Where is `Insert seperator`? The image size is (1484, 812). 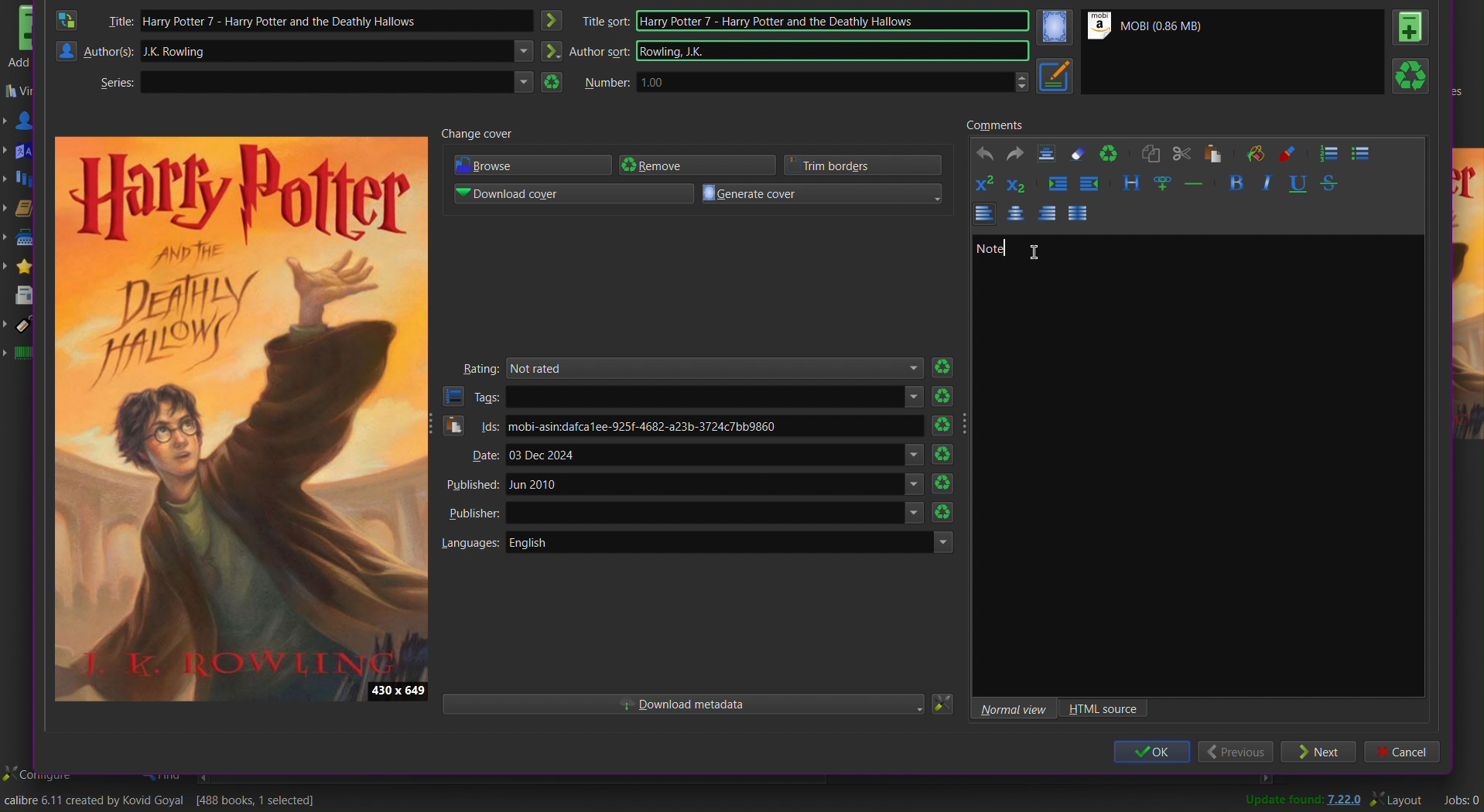 Insert seperator is located at coordinates (1194, 183).